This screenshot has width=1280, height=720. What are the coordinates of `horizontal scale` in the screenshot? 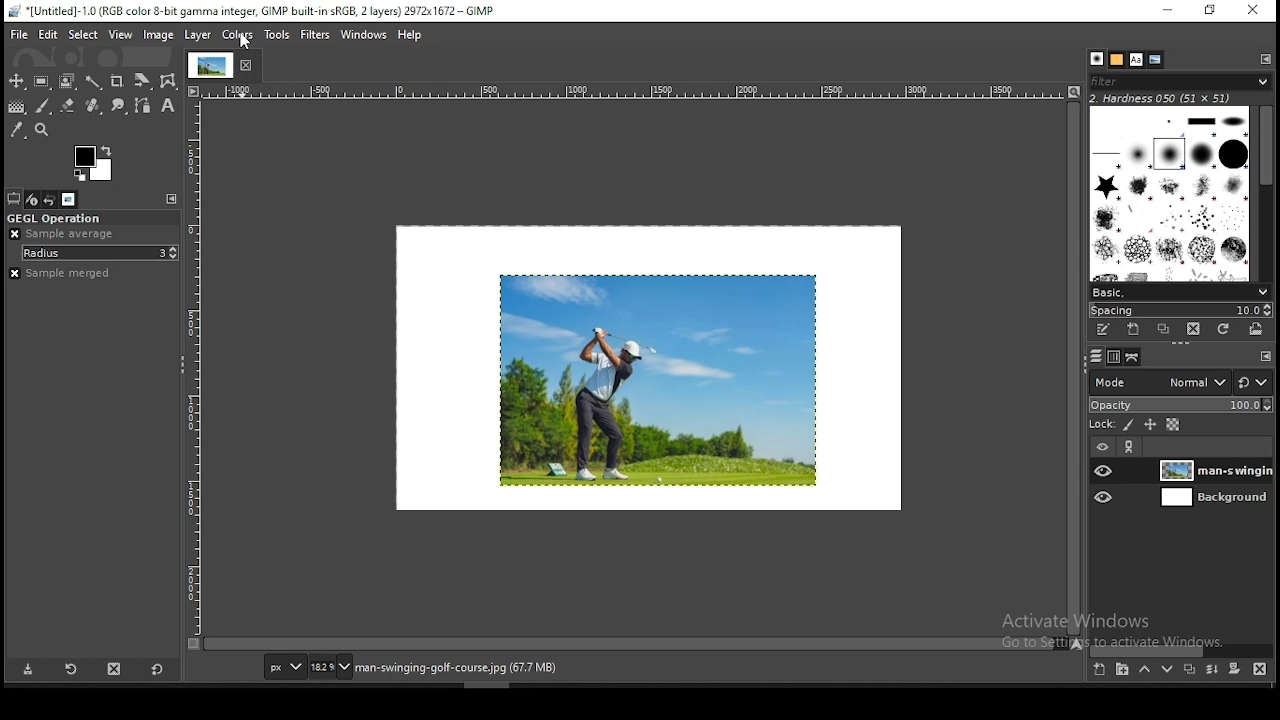 It's located at (195, 369).